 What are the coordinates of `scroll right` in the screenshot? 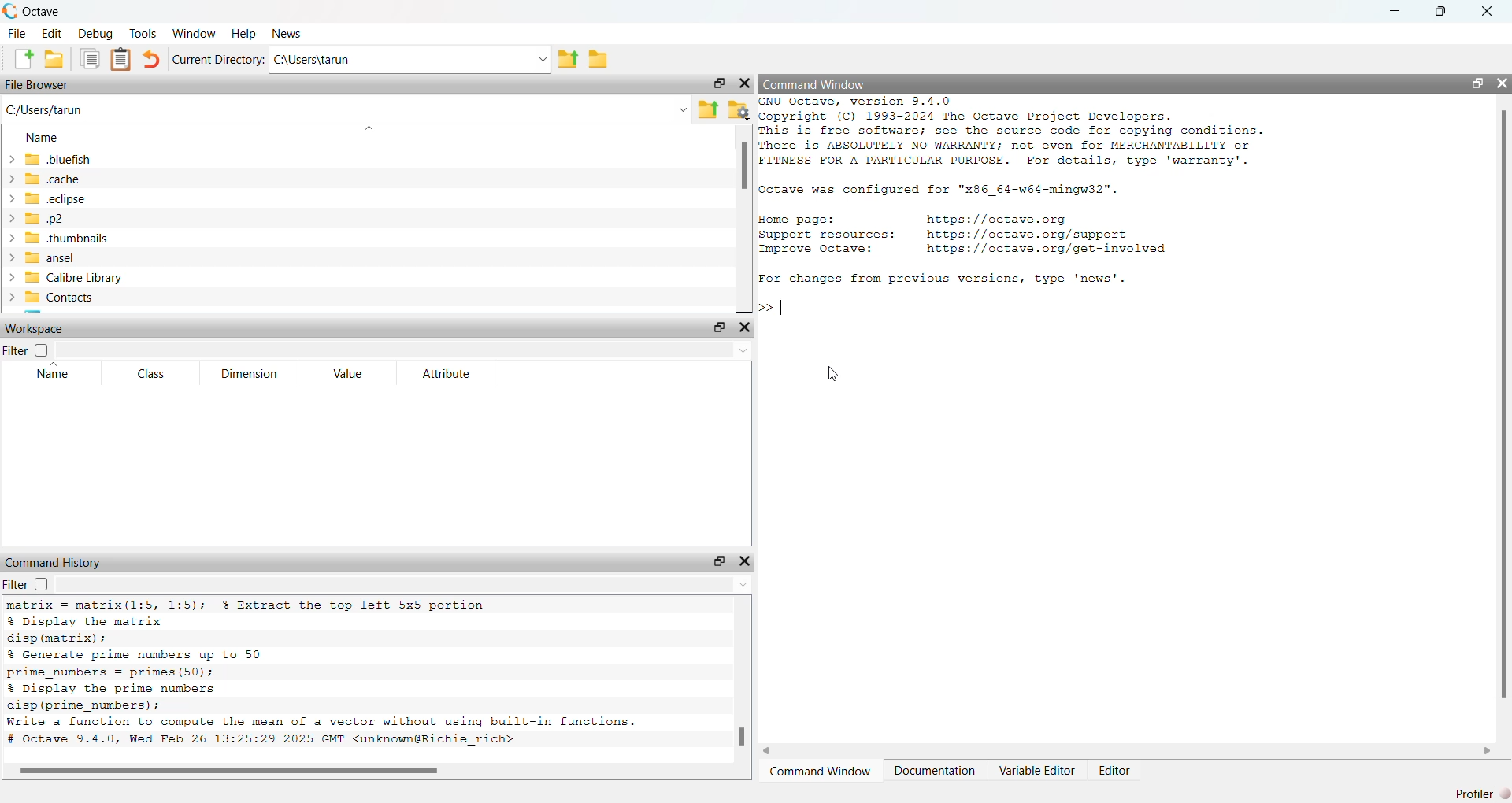 It's located at (1488, 751).